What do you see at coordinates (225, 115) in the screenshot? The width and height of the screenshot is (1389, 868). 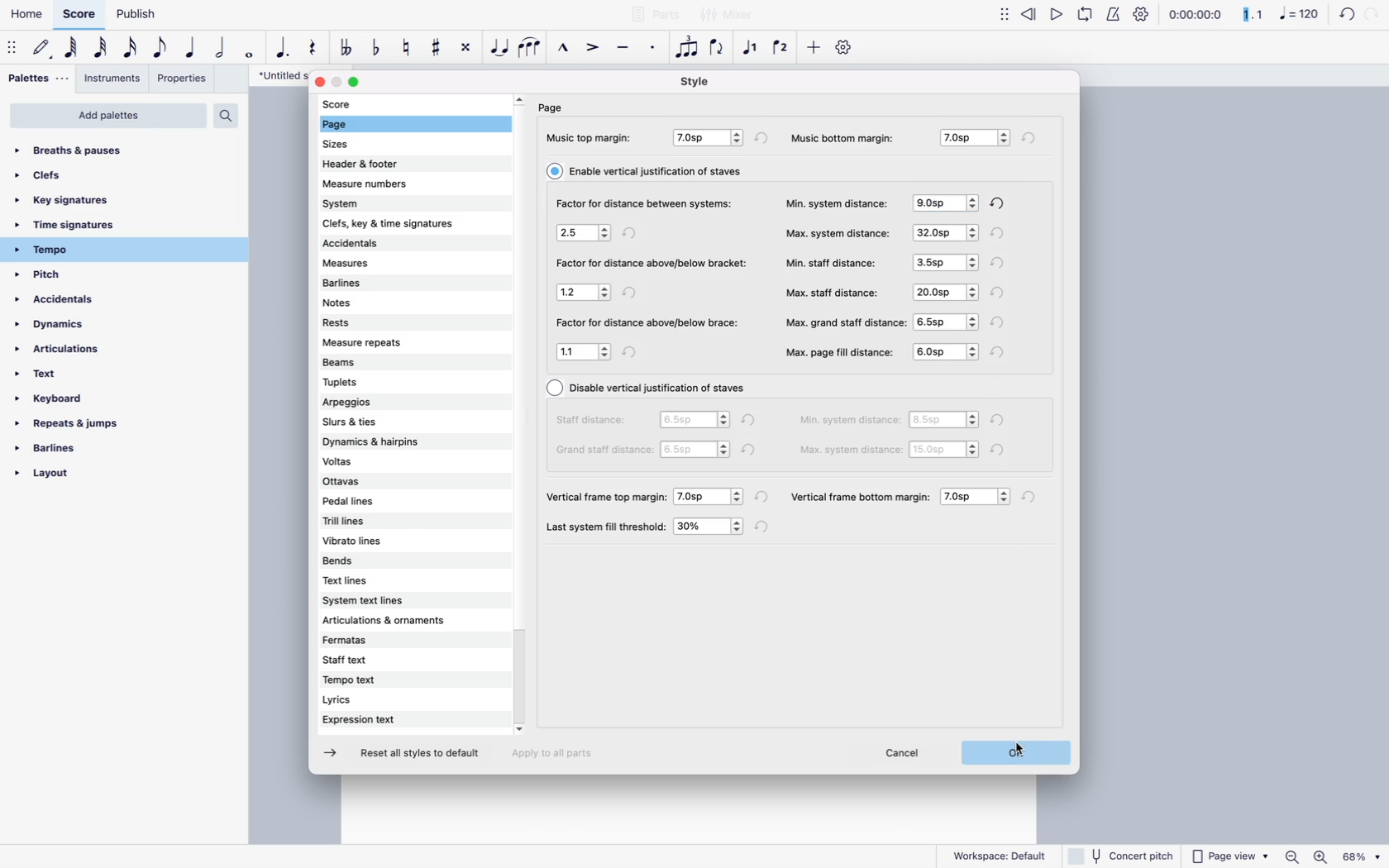 I see `search` at bounding box center [225, 115].